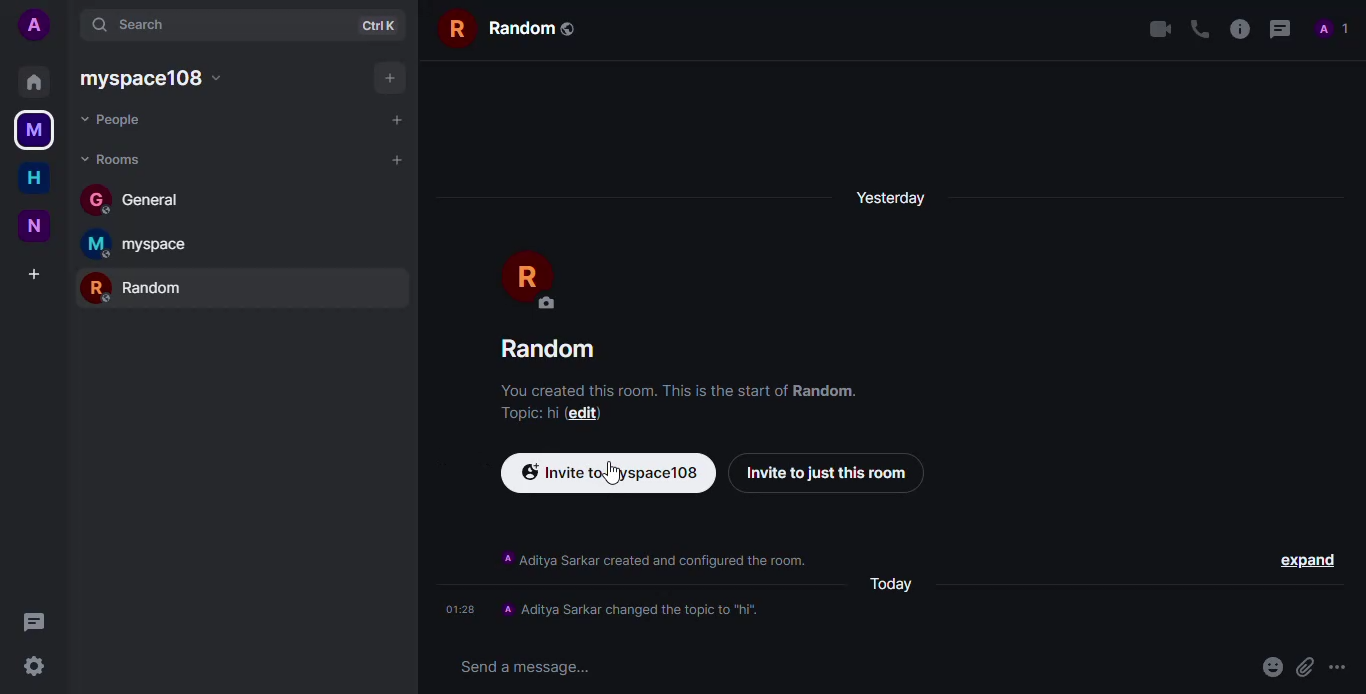  Describe the element at coordinates (652, 559) in the screenshot. I see `info` at that location.